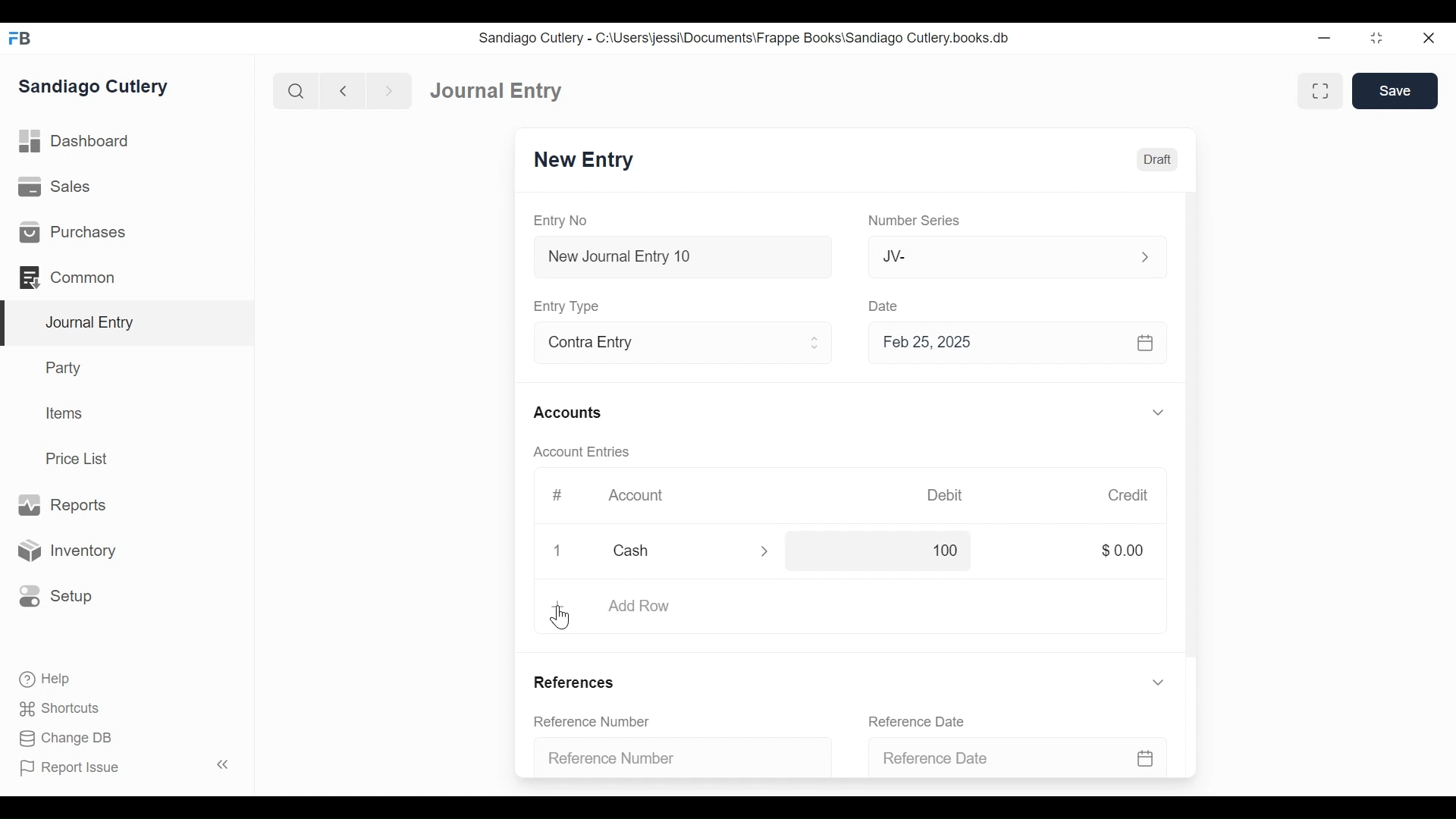 Image resolution: width=1456 pixels, height=819 pixels. Describe the element at coordinates (19, 38) in the screenshot. I see `Frappe Books Desktop icon` at that location.